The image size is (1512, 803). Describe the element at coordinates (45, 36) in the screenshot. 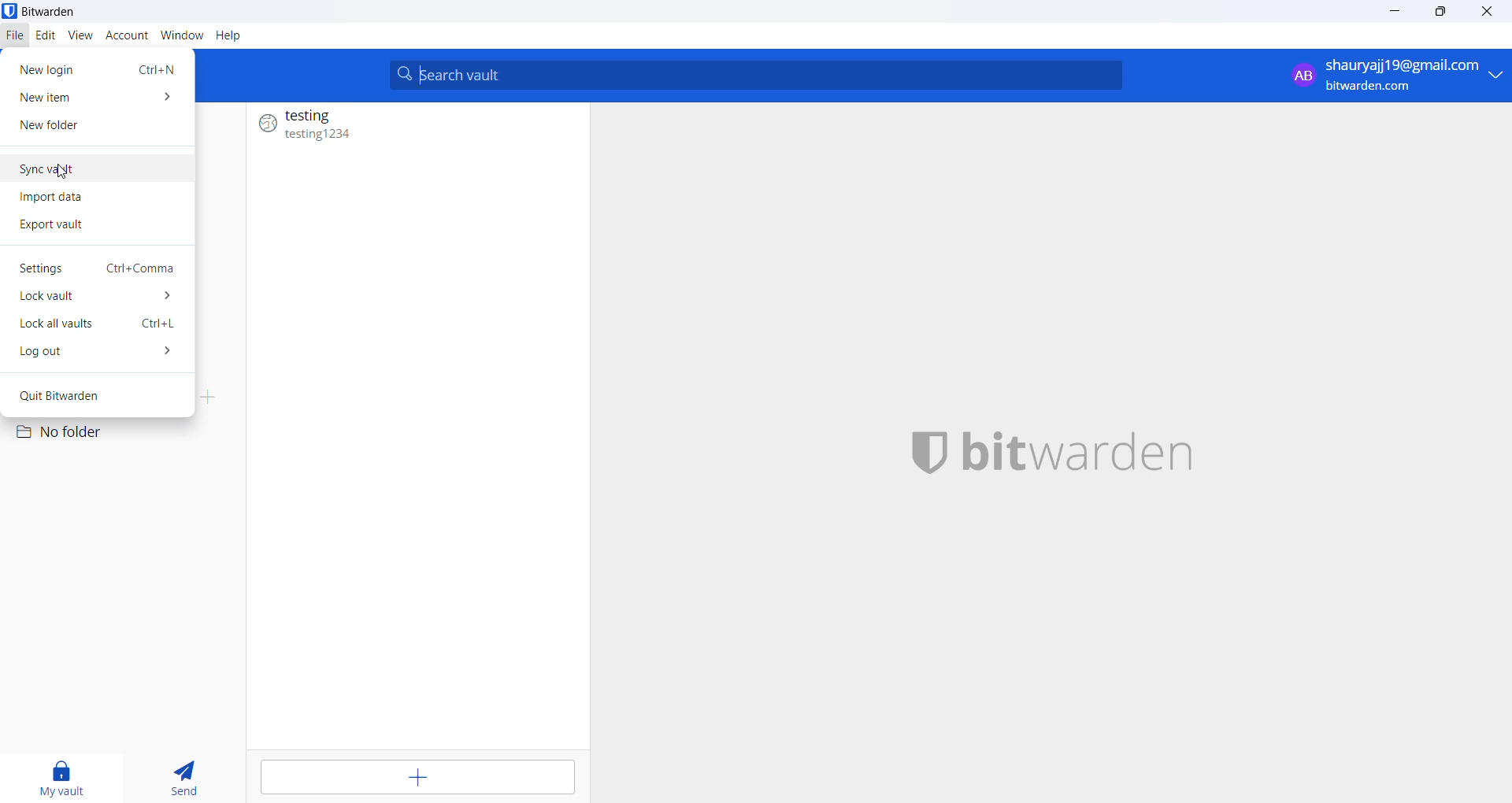

I see `edit` at that location.